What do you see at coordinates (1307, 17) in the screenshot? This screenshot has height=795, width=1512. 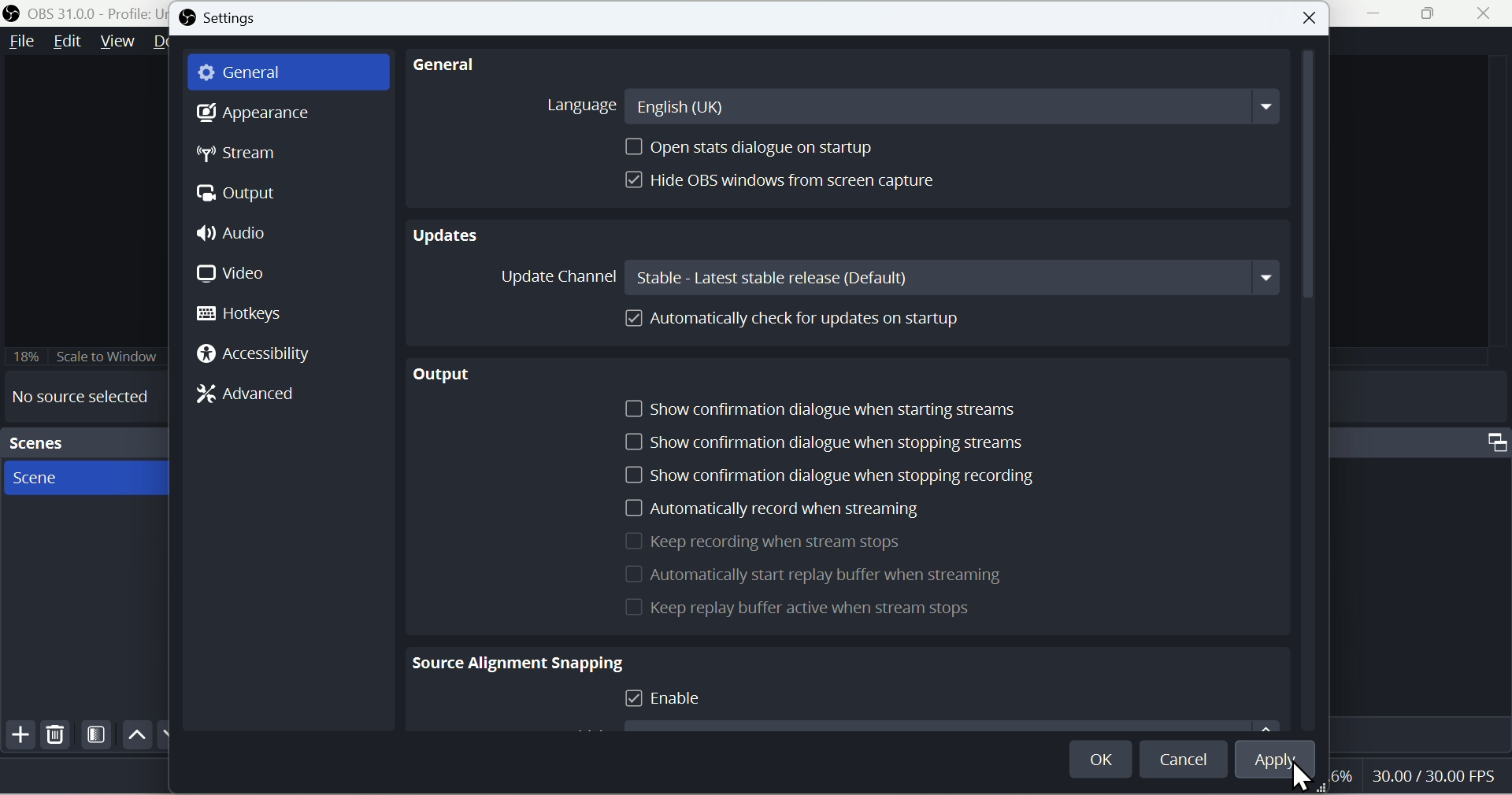 I see `close` at bounding box center [1307, 17].